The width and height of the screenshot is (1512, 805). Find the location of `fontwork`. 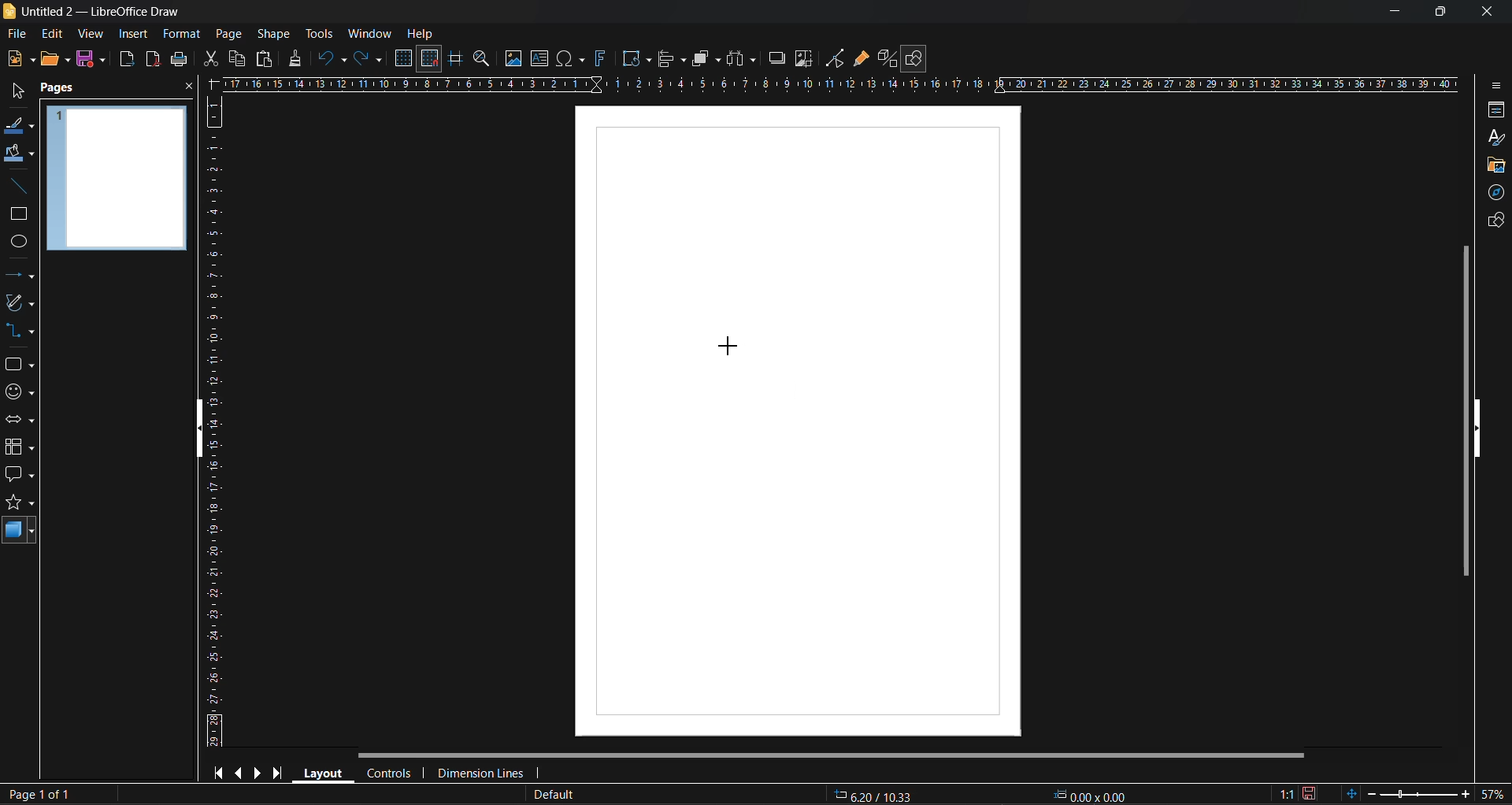

fontwork is located at coordinates (603, 57).